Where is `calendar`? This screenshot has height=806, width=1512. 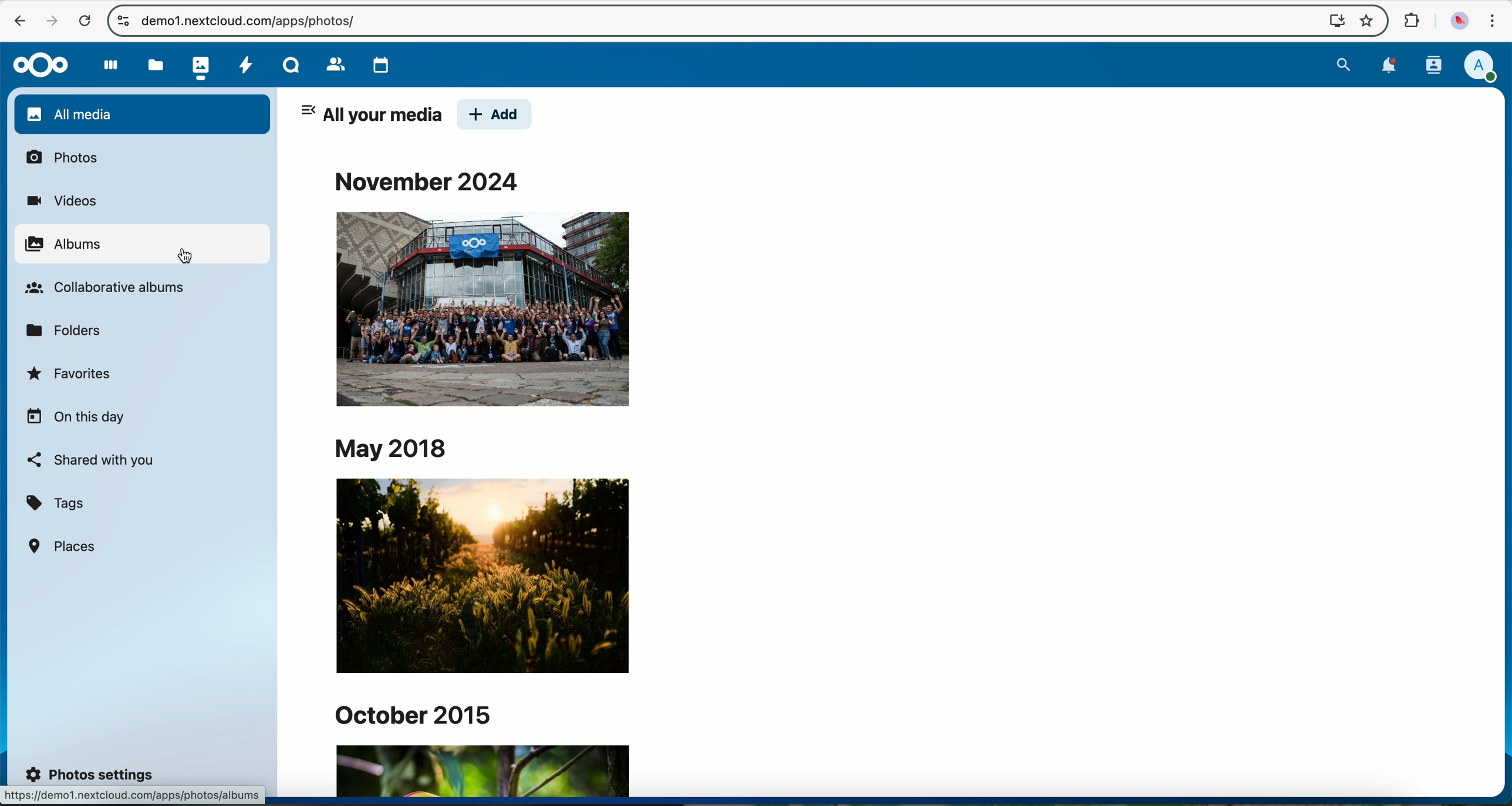 calendar is located at coordinates (378, 62).